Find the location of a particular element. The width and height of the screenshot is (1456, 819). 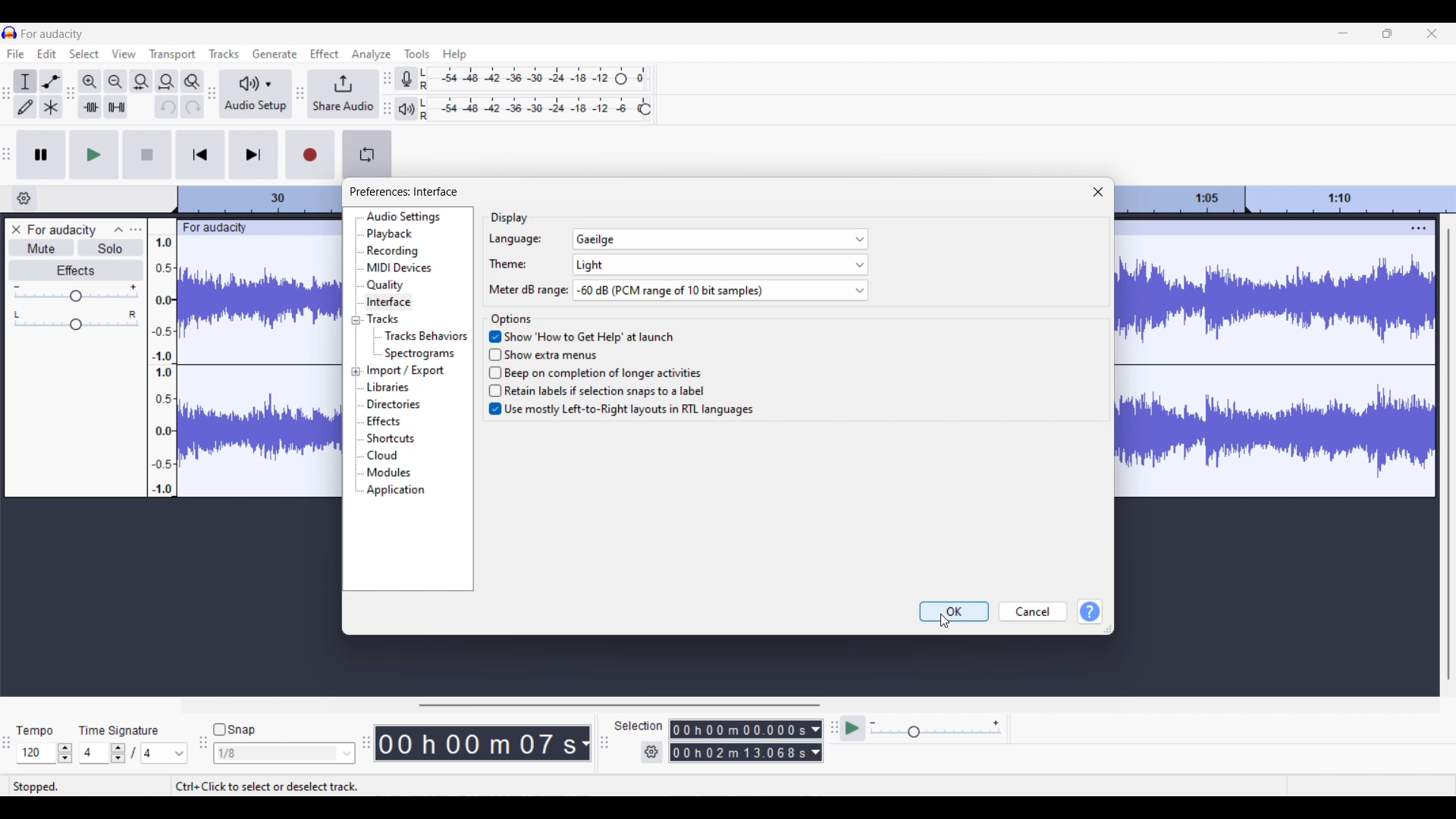

time signature is located at coordinates (120, 730).